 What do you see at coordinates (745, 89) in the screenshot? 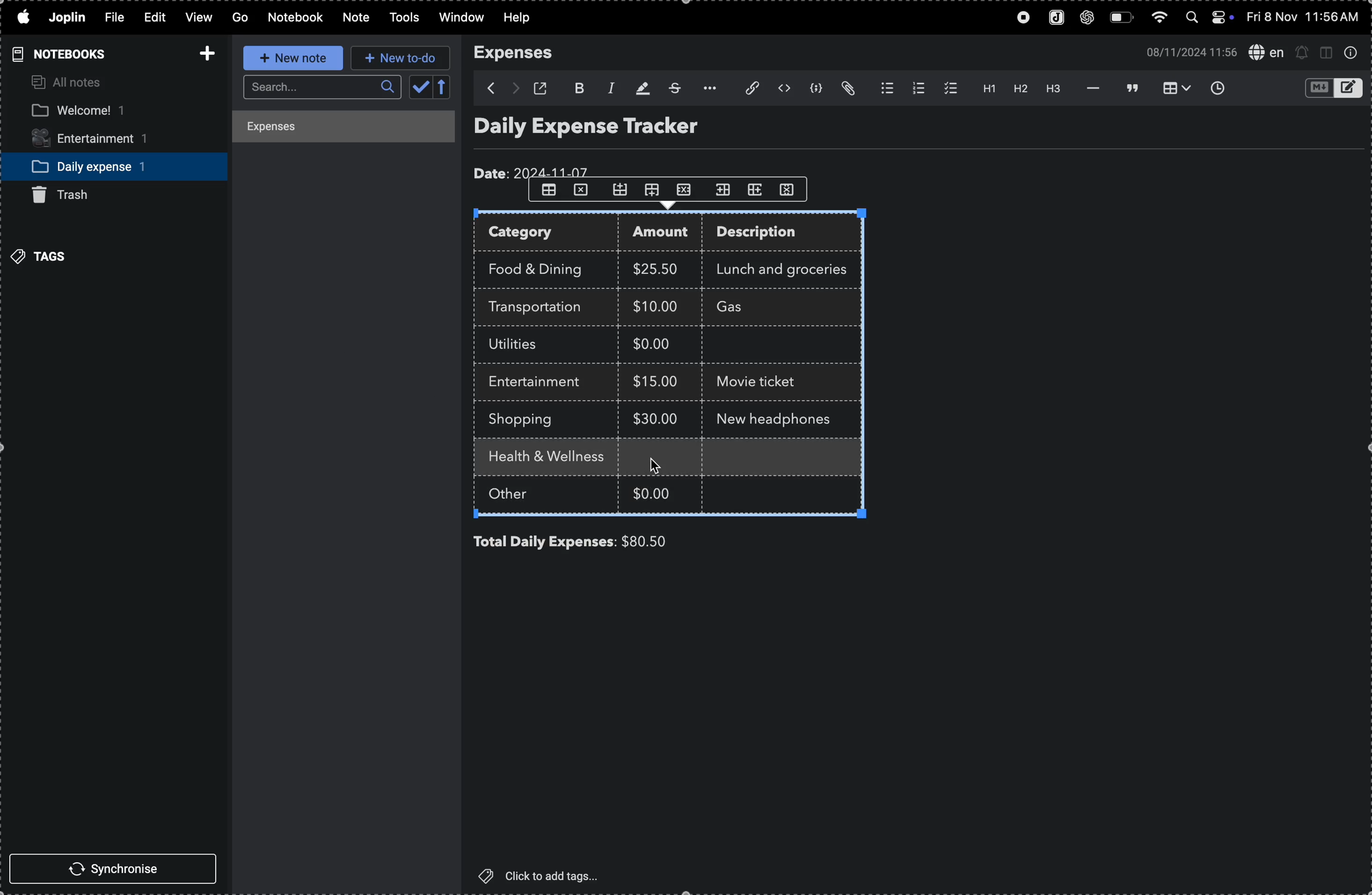
I see `attach file` at bounding box center [745, 89].